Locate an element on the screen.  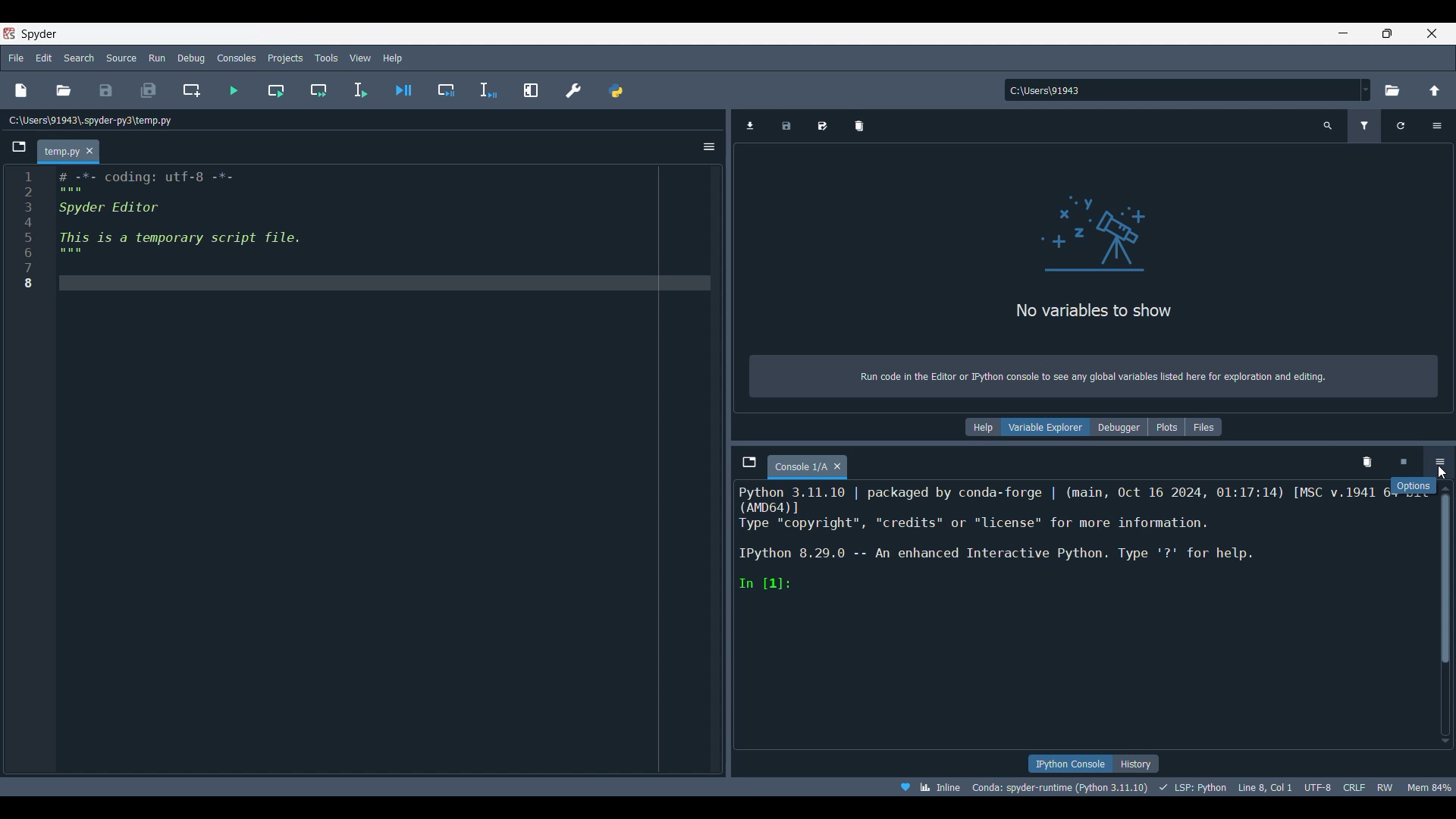
Filter variables is located at coordinates (1364, 126).